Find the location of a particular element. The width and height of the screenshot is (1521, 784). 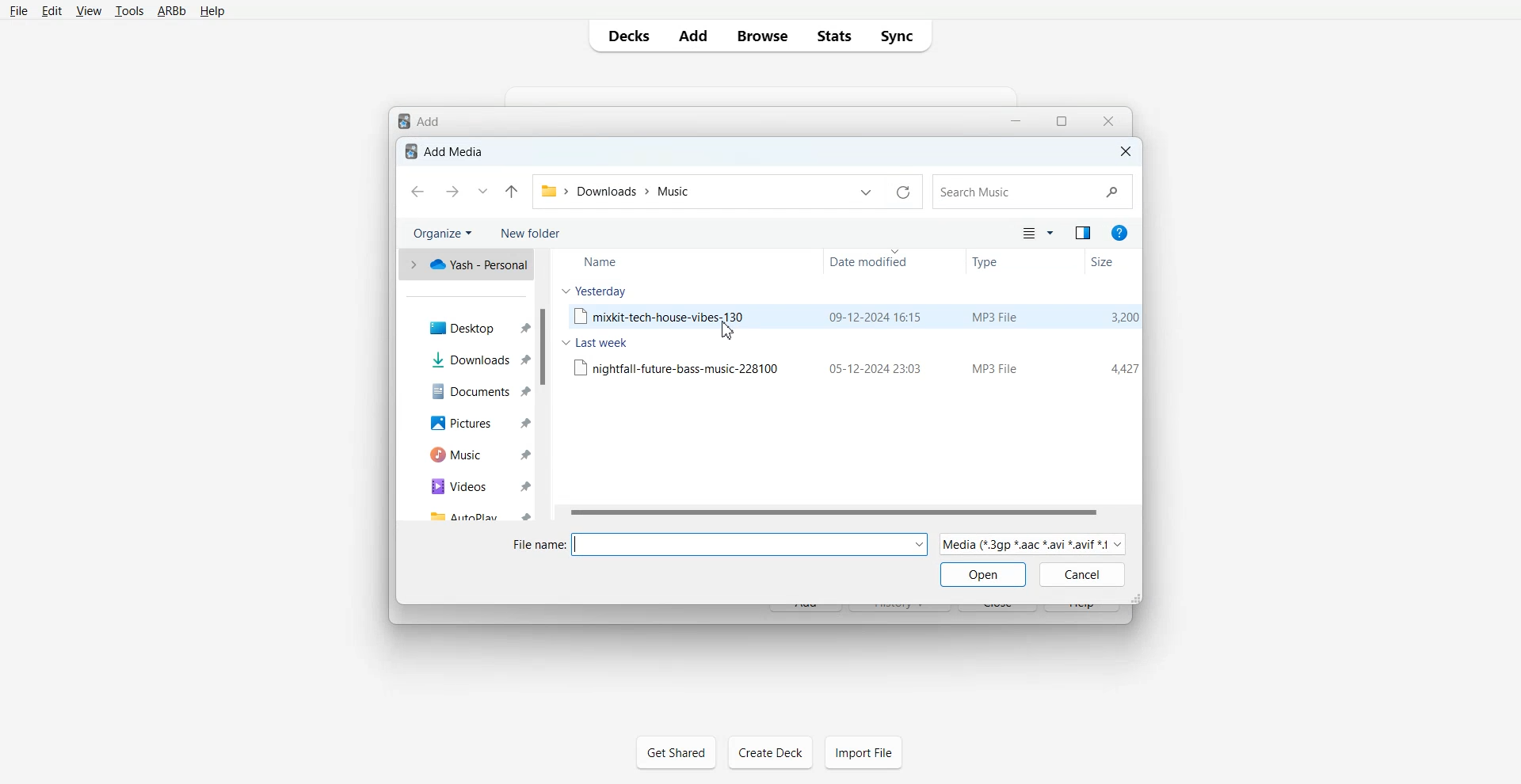

yesterday is located at coordinates (595, 291).